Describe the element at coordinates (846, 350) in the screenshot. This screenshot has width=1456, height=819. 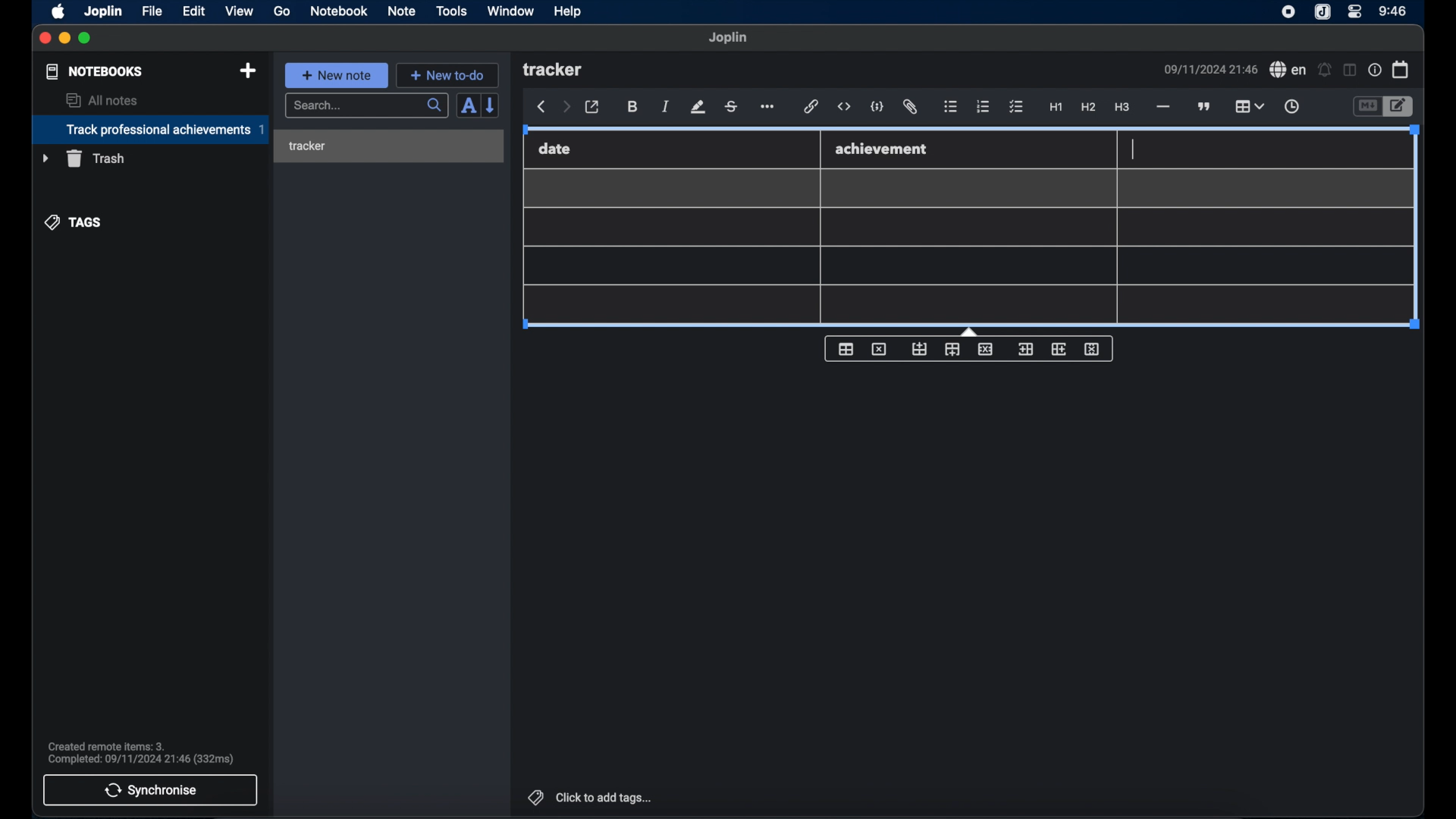
I see `table properties` at that location.